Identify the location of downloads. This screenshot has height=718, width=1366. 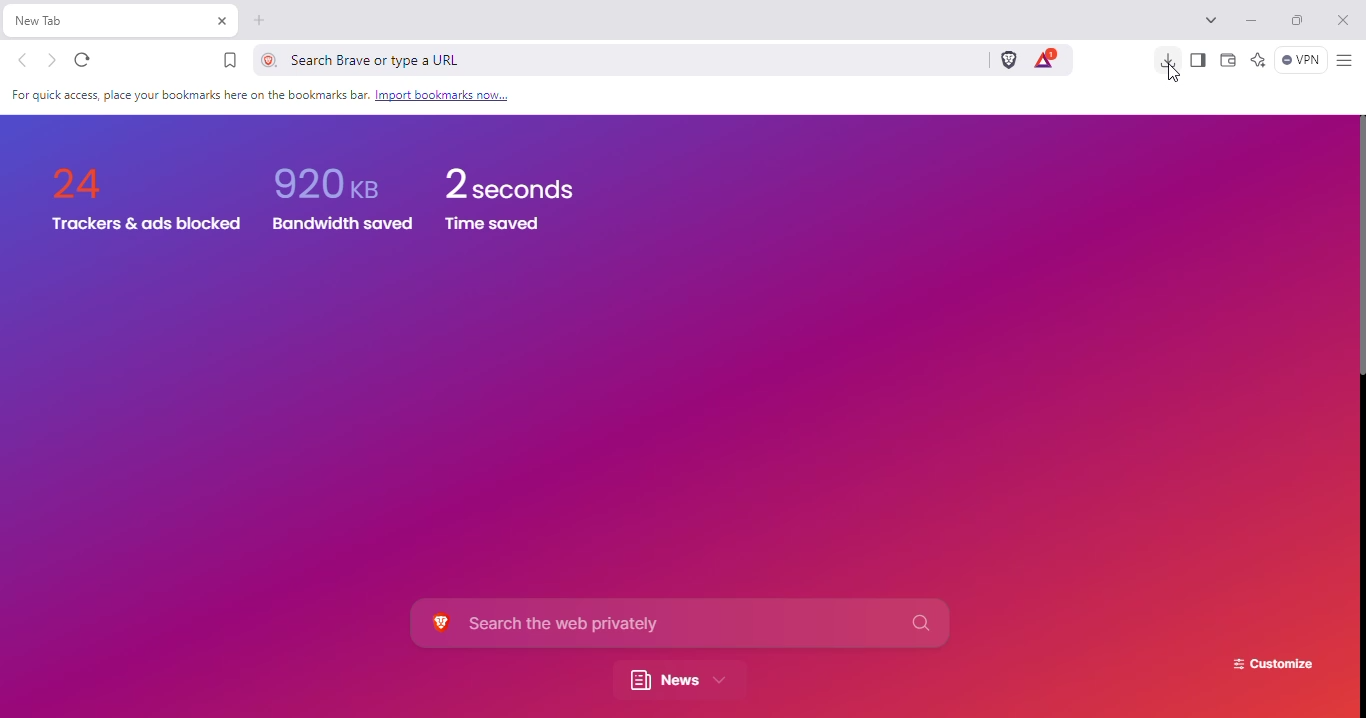
(1167, 57).